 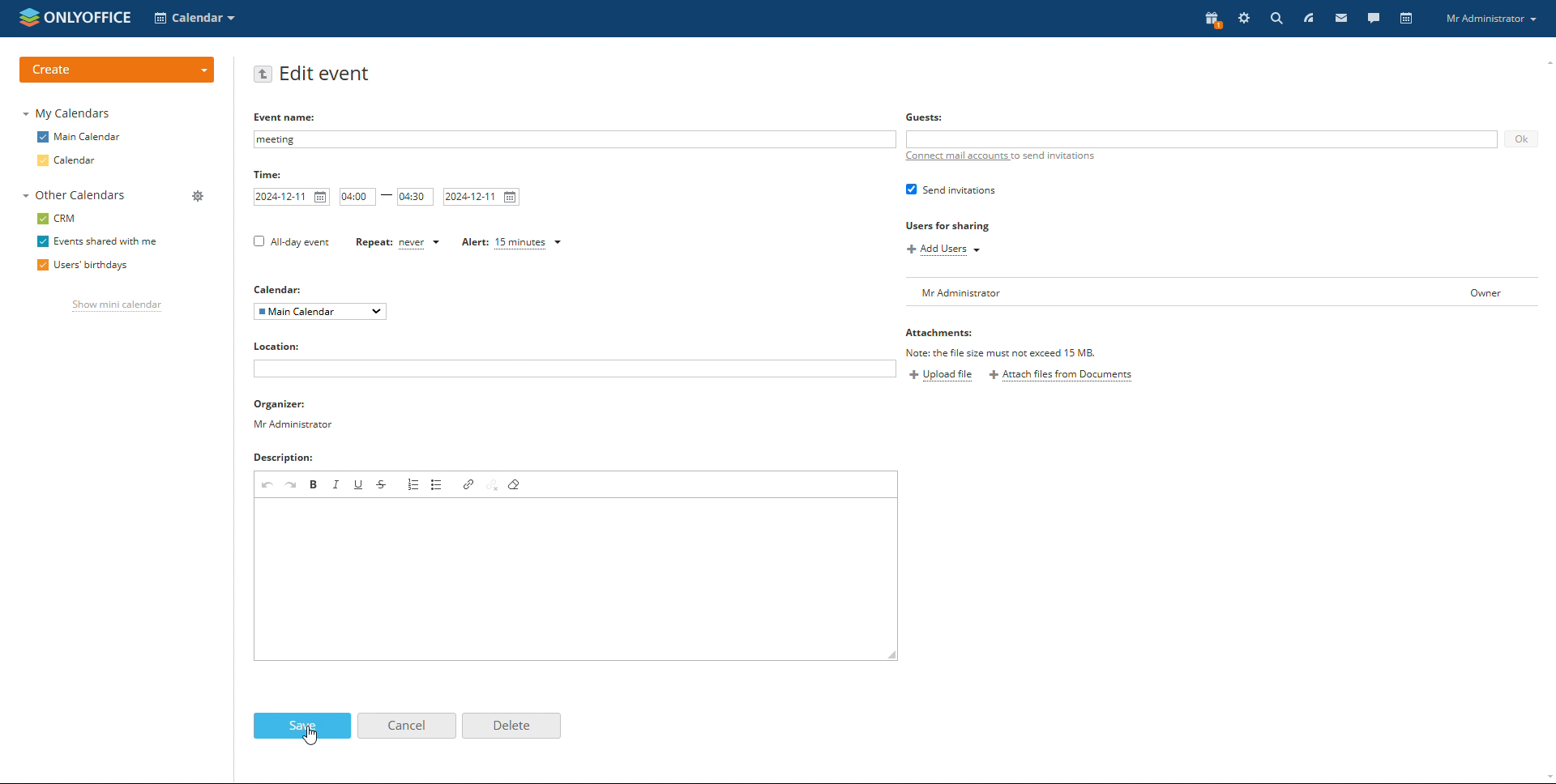 I want to click on present, so click(x=1211, y=19).